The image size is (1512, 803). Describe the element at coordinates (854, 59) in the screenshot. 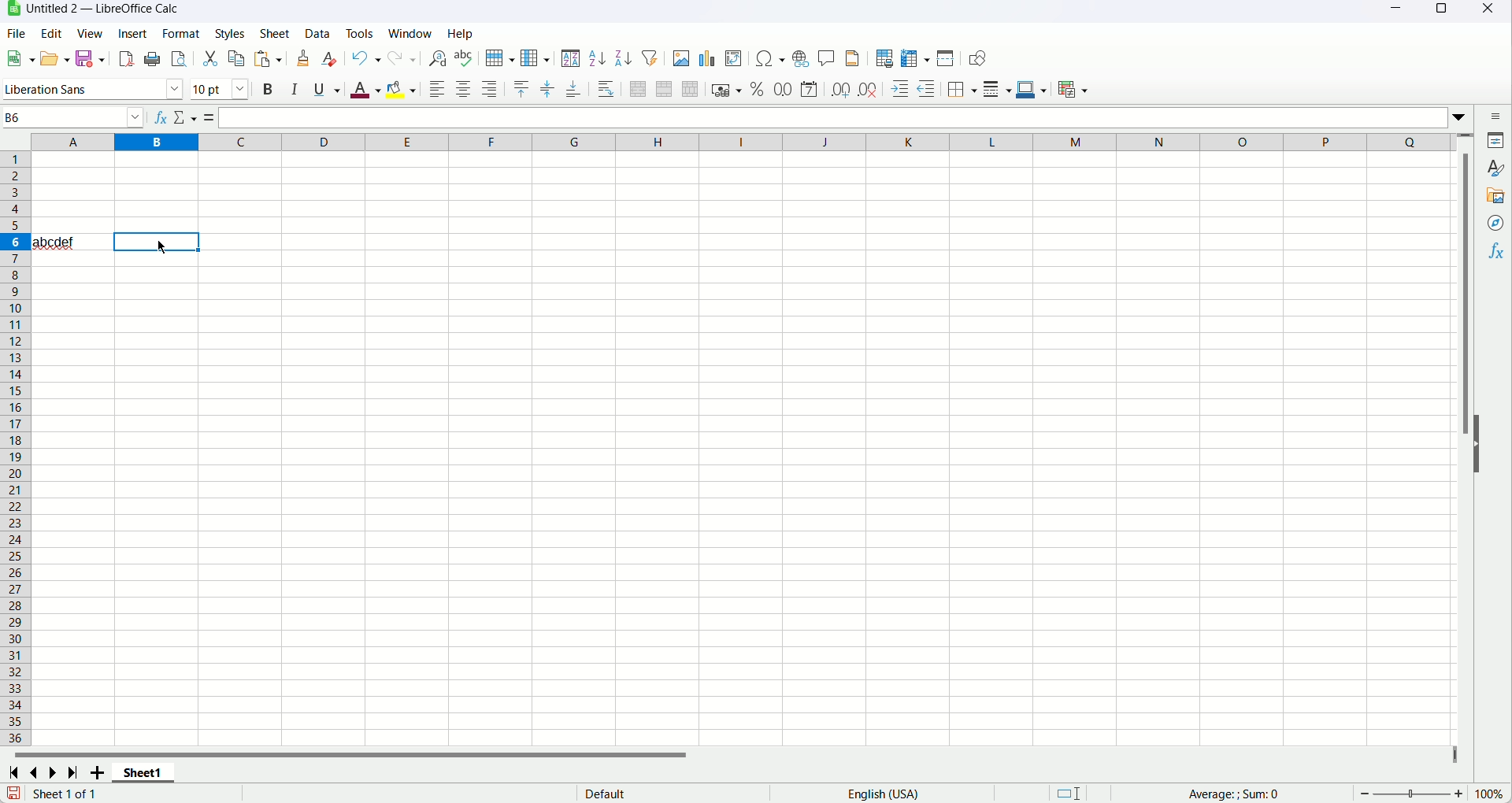

I see `header and footer` at that location.